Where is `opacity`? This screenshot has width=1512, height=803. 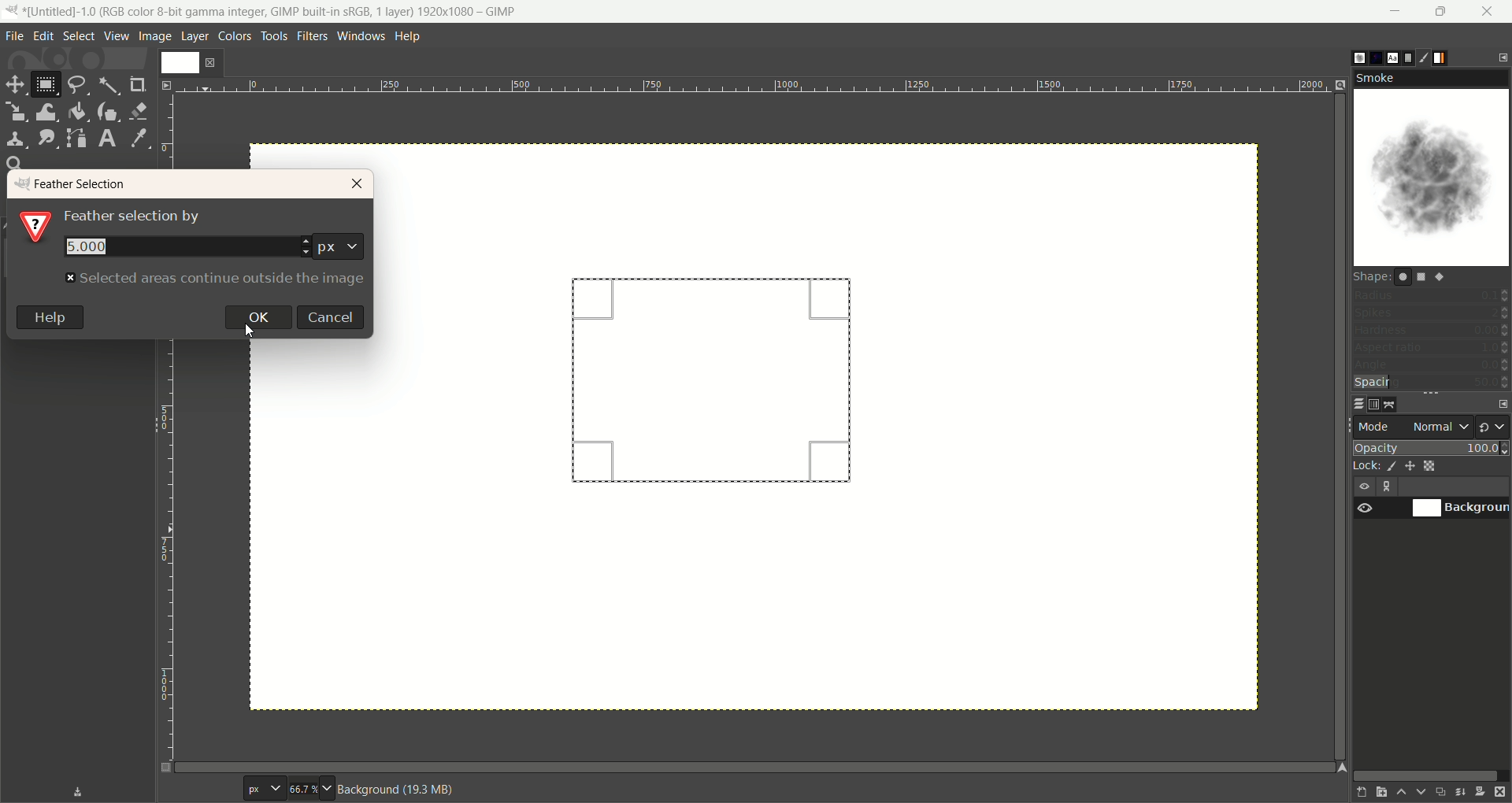 opacity is located at coordinates (1430, 447).